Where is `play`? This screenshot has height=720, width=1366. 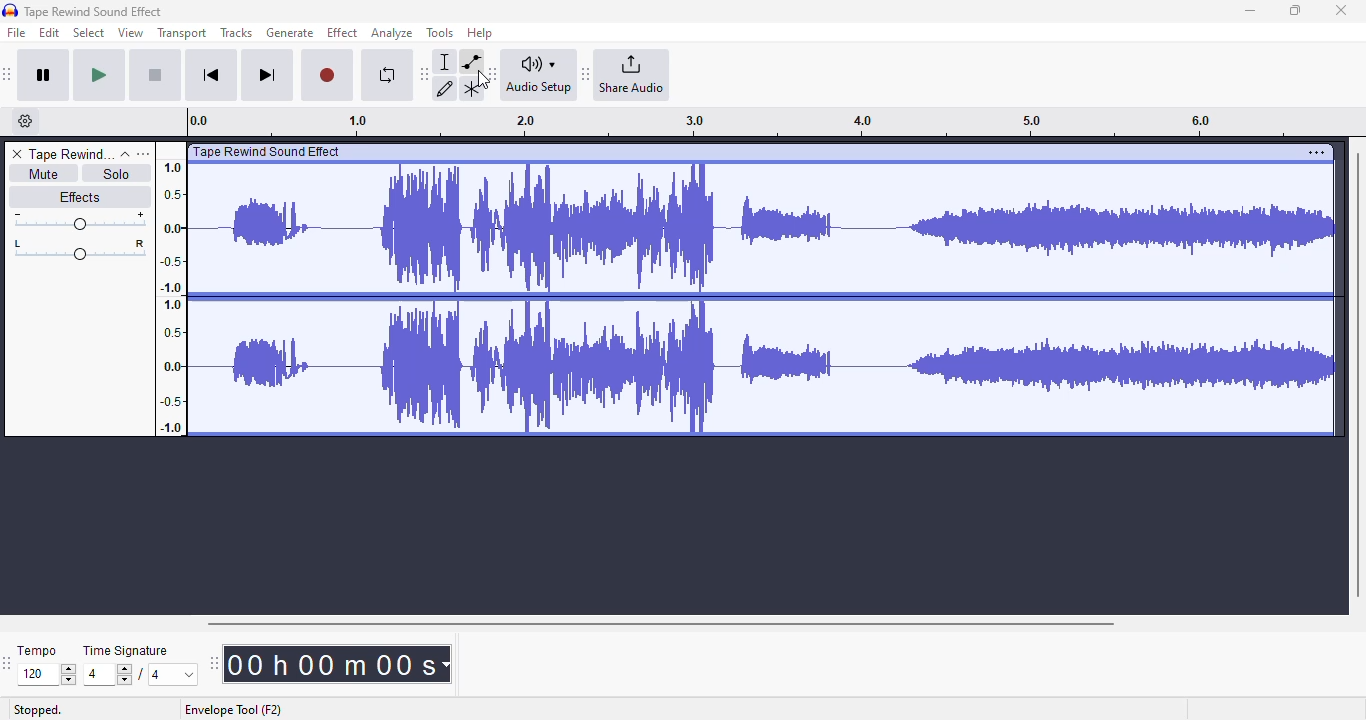
play is located at coordinates (99, 76).